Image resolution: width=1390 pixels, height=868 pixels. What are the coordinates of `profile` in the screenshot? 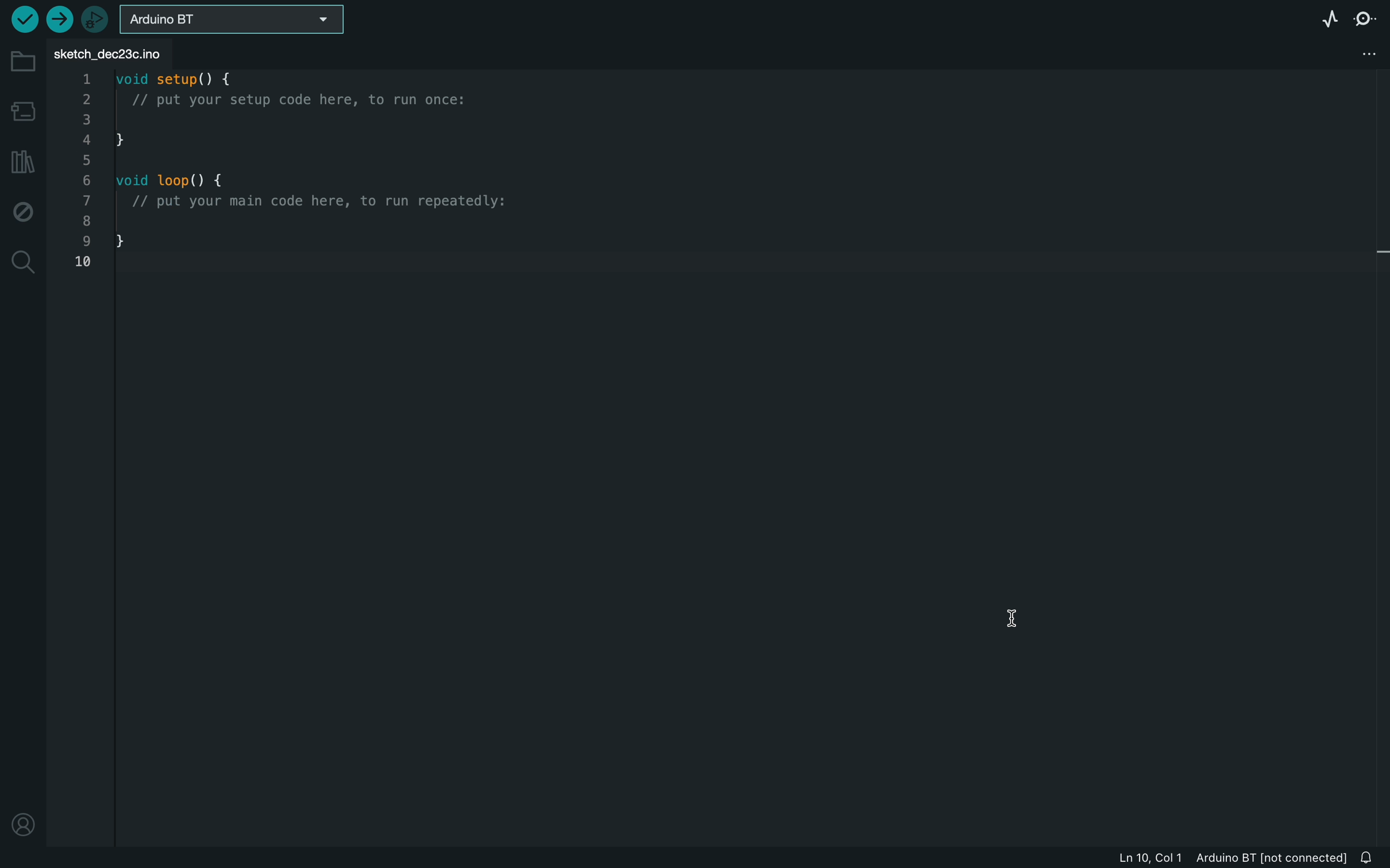 It's located at (22, 828).